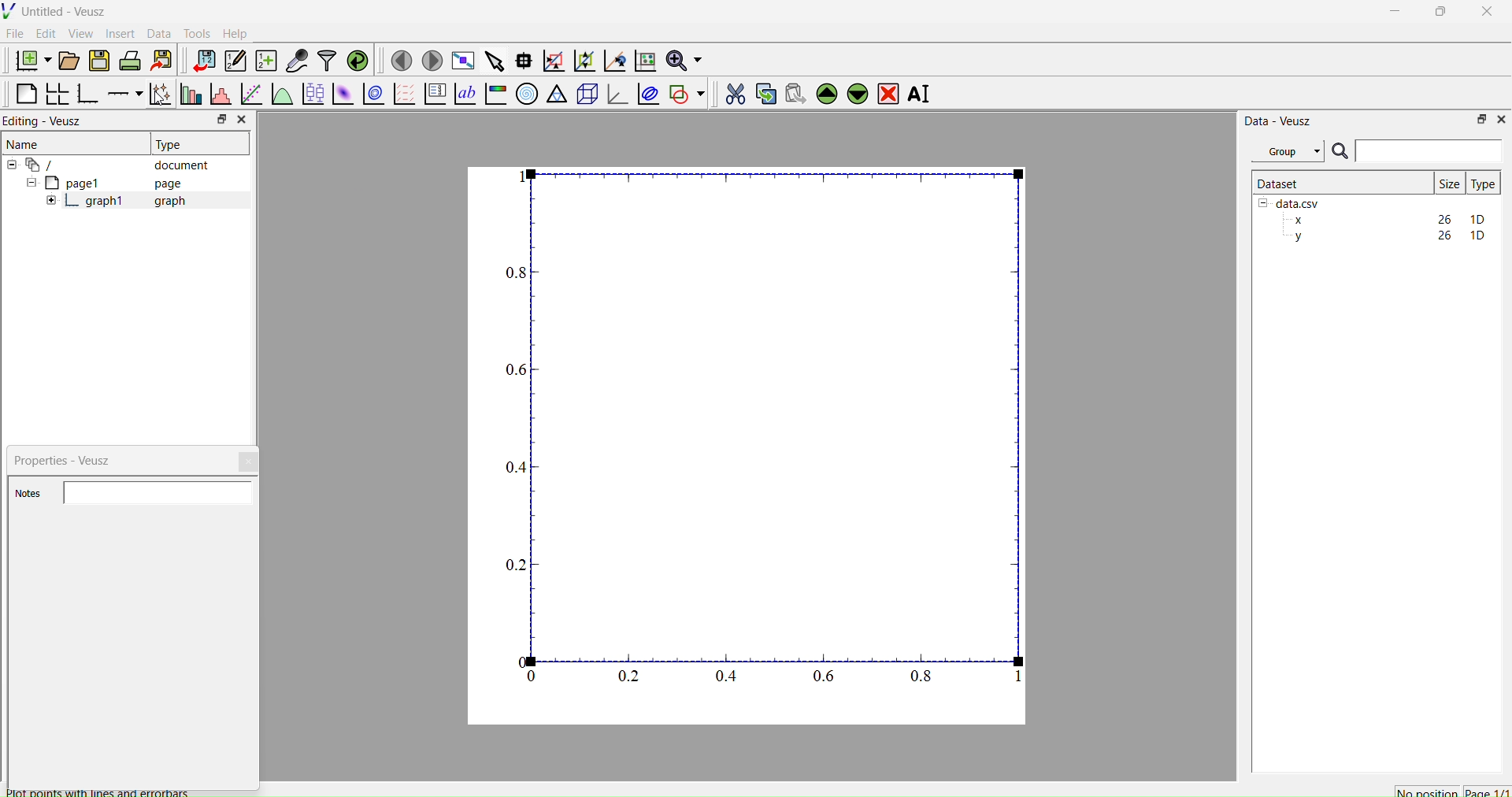 The width and height of the screenshot is (1512, 797). What do you see at coordinates (1287, 151) in the screenshot?
I see `Group ` at bounding box center [1287, 151].